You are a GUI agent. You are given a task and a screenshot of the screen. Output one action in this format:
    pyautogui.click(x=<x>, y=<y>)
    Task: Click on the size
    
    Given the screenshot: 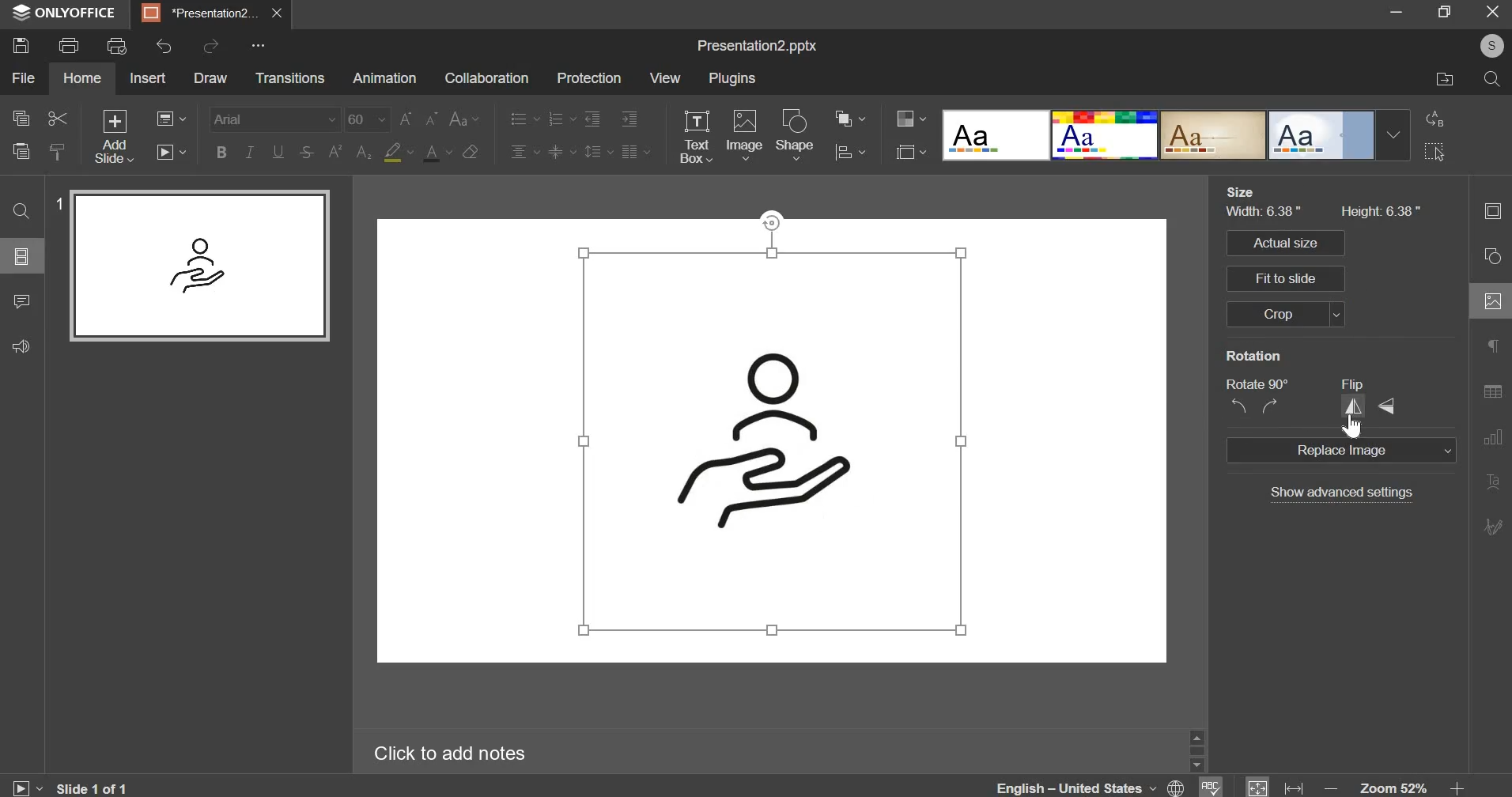 What is the action you would take?
    pyautogui.click(x=1241, y=192)
    